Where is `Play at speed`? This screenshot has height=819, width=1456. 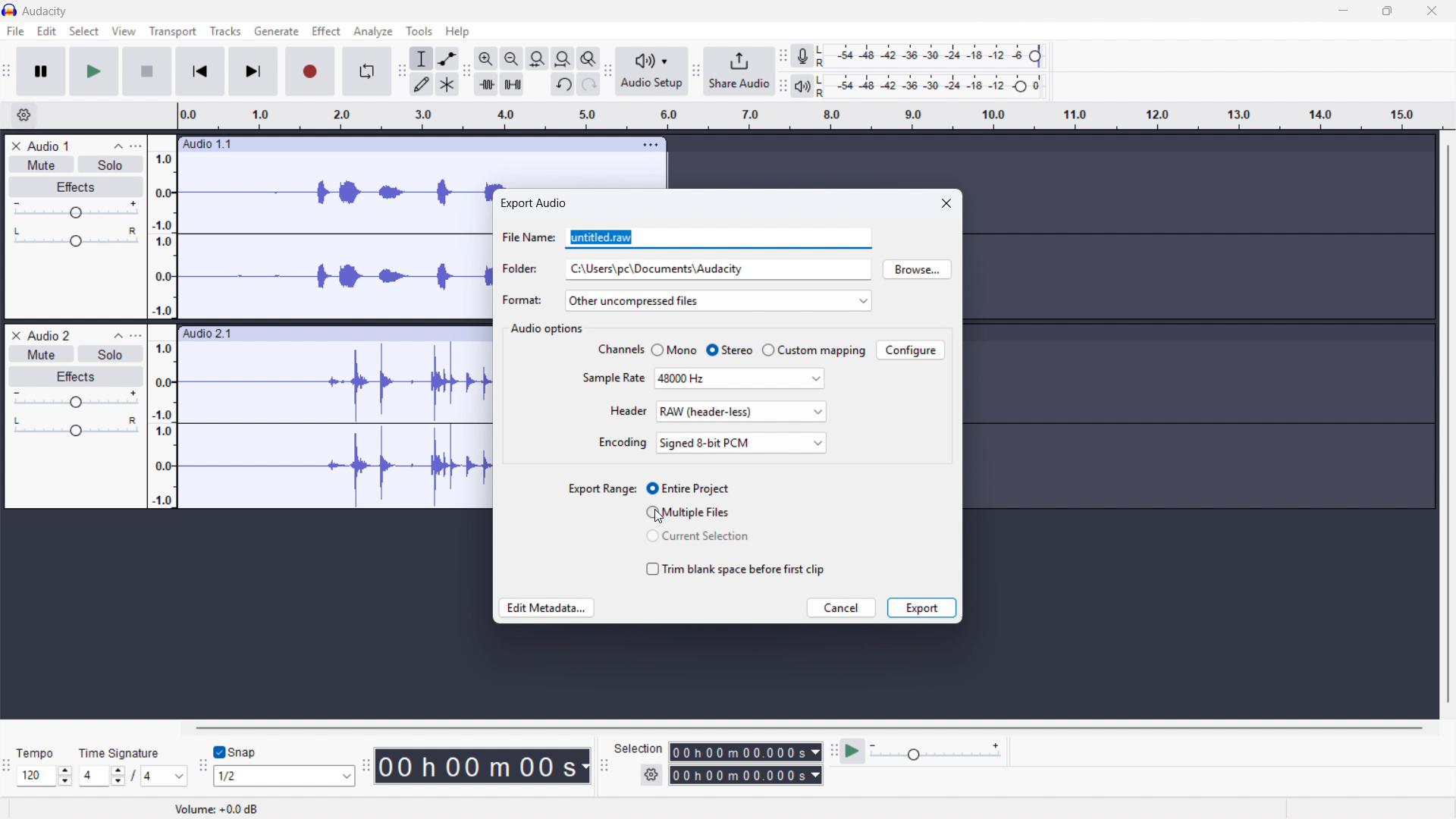
Play at speed is located at coordinates (852, 752).